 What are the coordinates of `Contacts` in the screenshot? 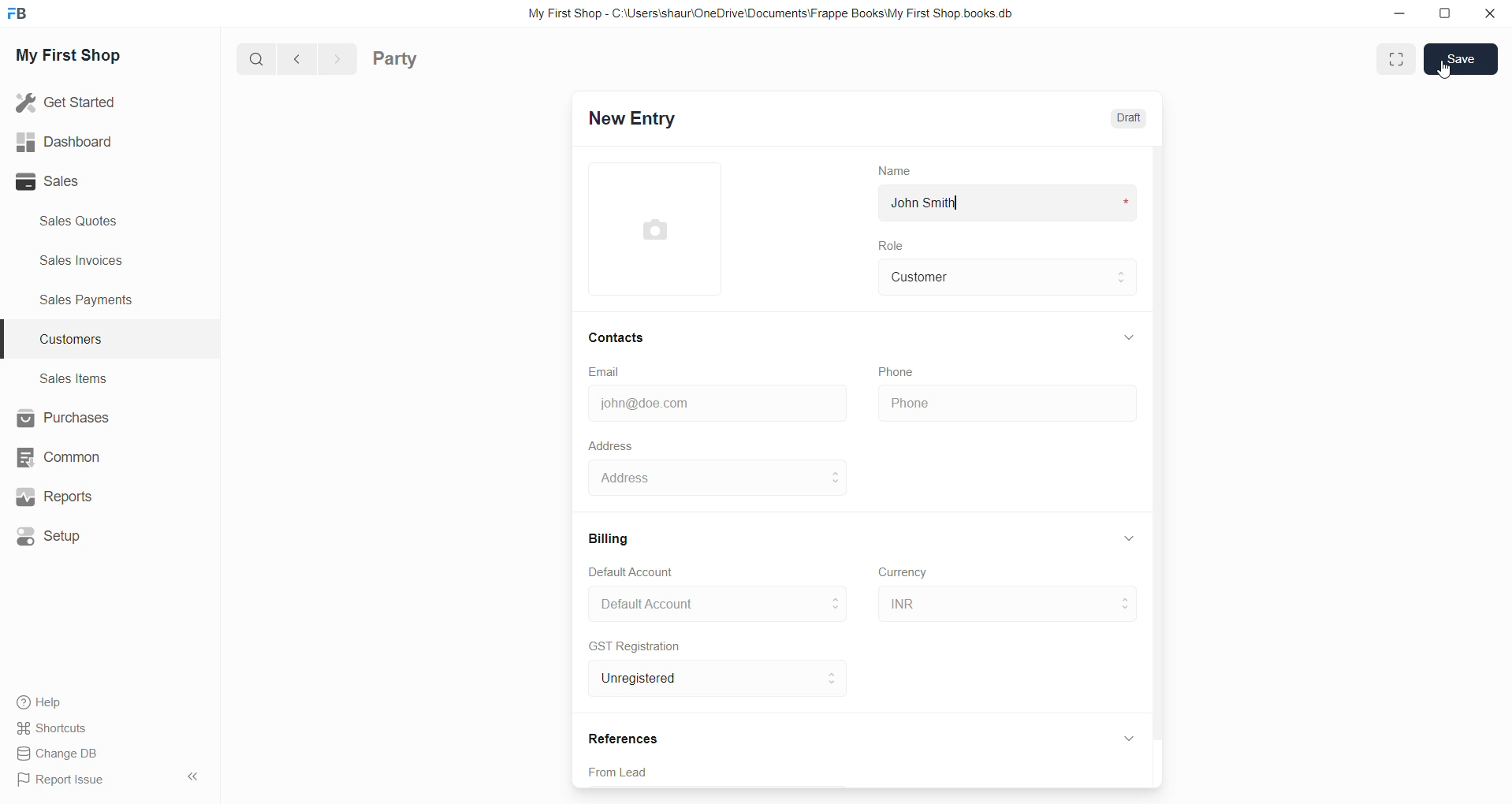 It's located at (620, 337).